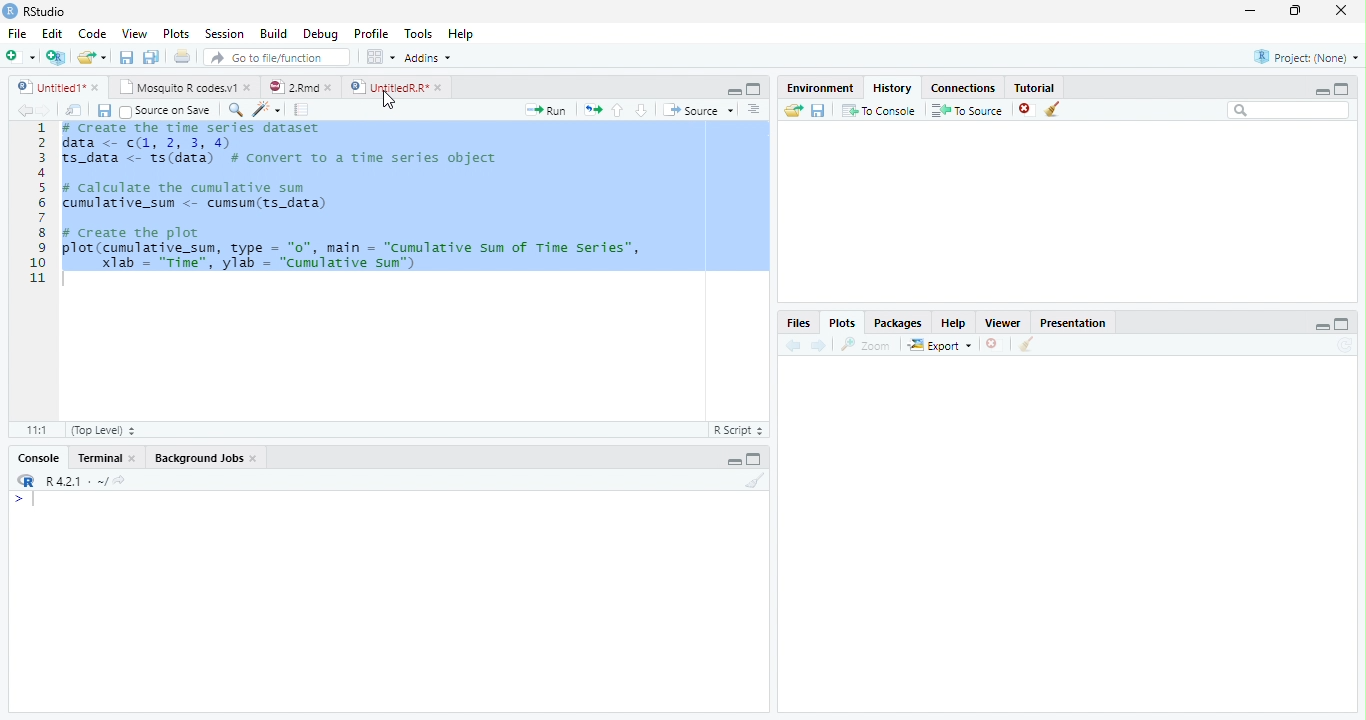 This screenshot has width=1366, height=720. I want to click on Edit, so click(55, 36).